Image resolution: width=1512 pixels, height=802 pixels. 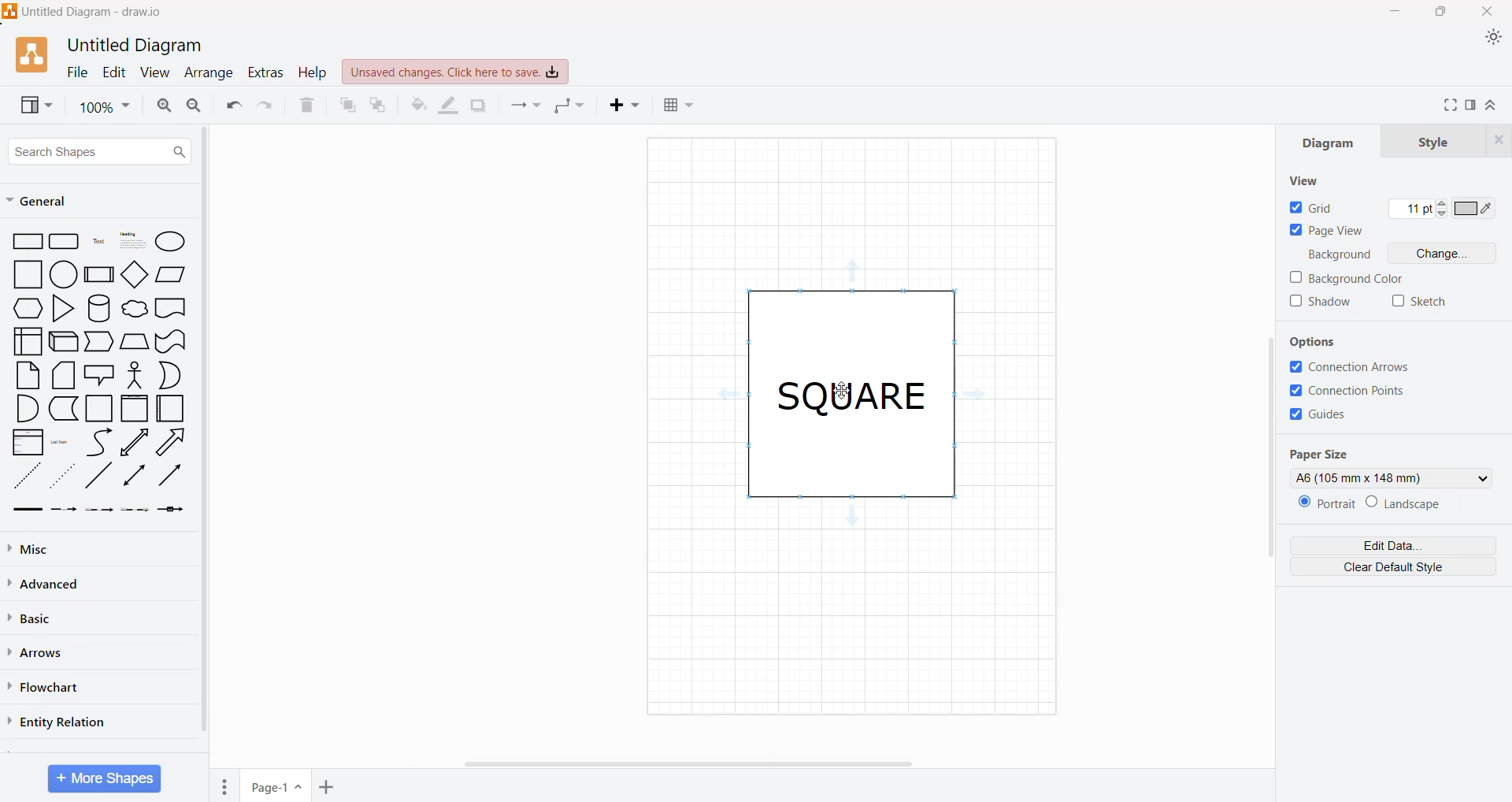 What do you see at coordinates (170, 340) in the screenshot?
I see `Curved Rectangle` at bounding box center [170, 340].